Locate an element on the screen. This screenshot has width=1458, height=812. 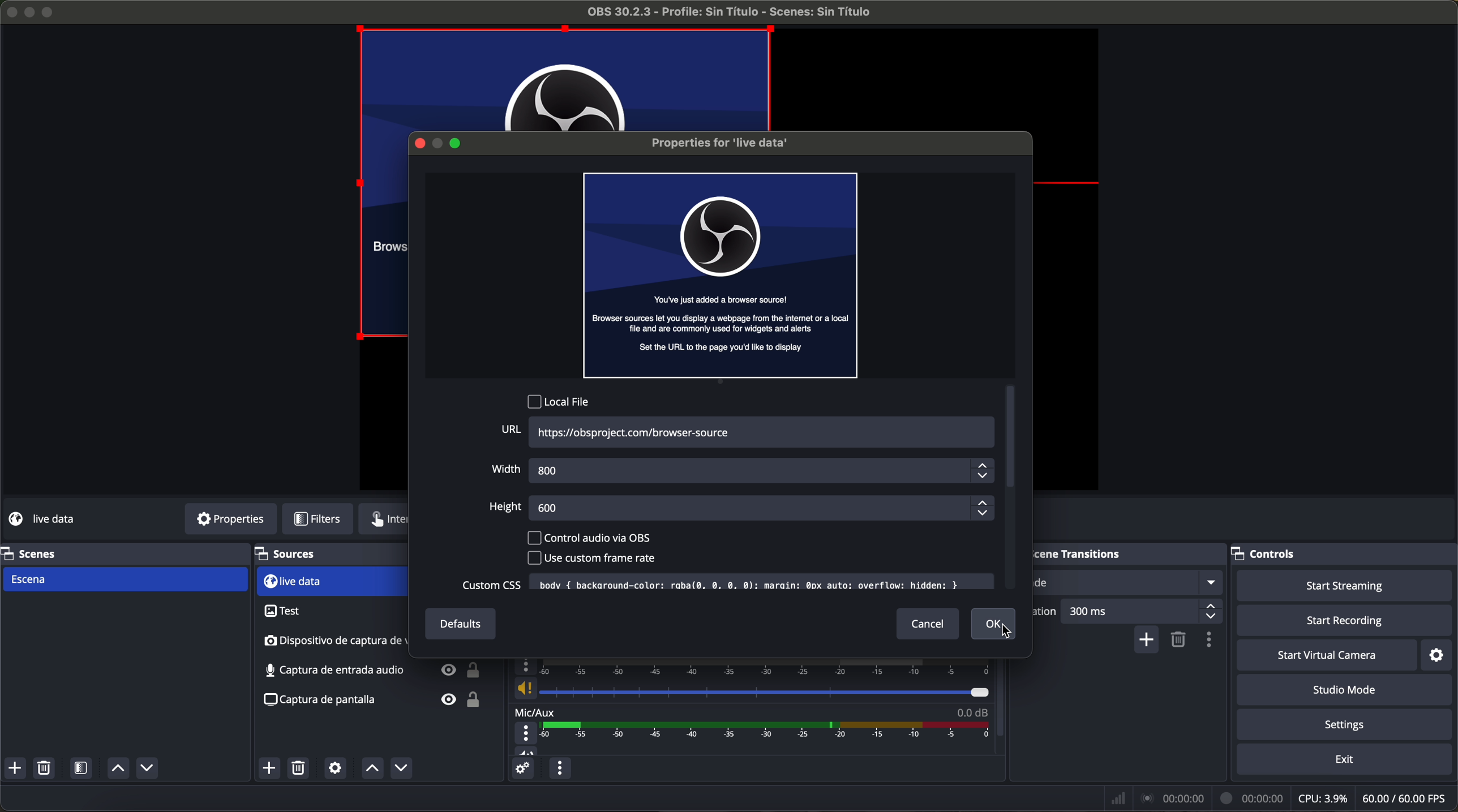
start streaming is located at coordinates (1345, 585).